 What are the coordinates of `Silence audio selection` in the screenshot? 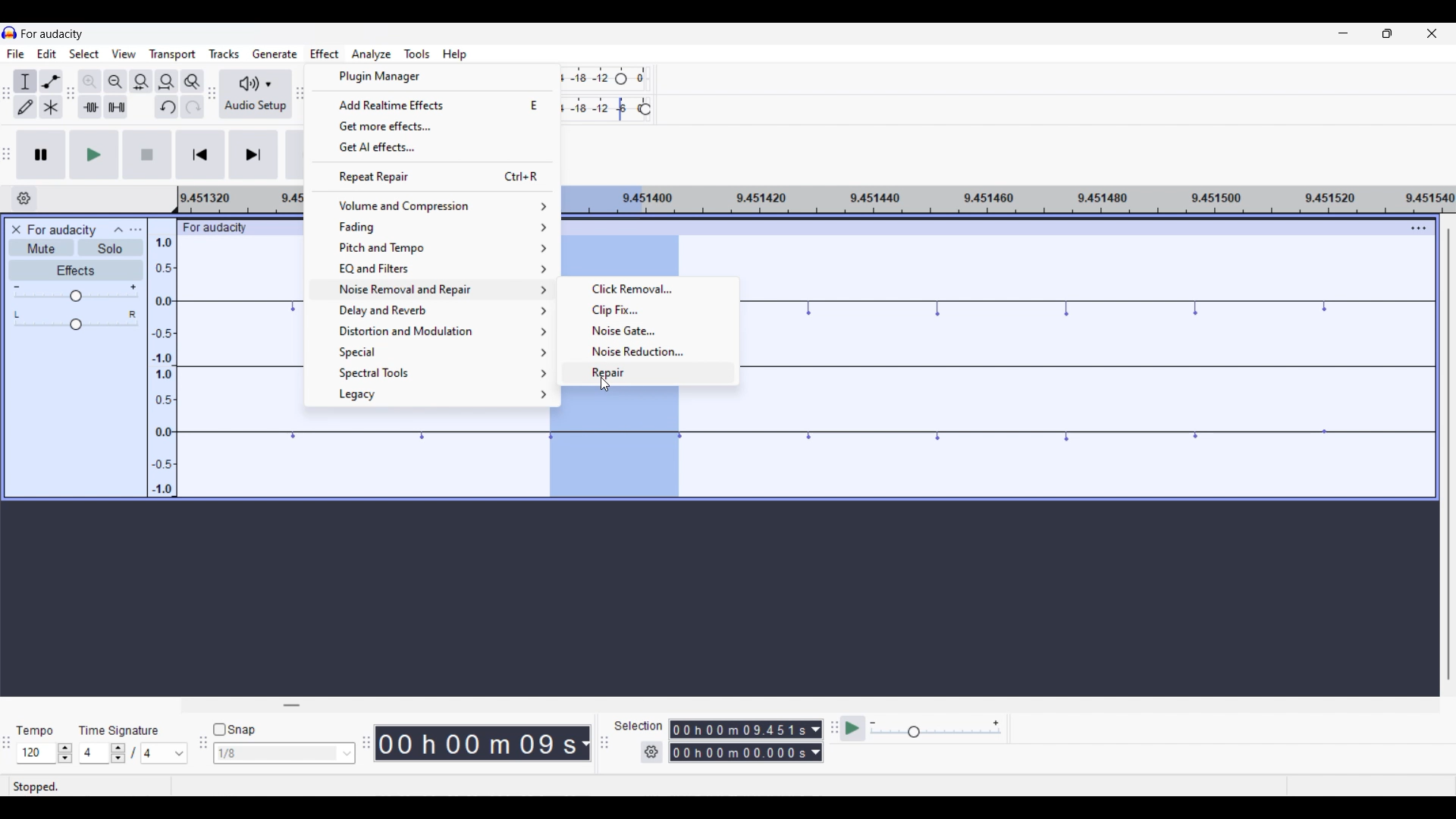 It's located at (117, 107).